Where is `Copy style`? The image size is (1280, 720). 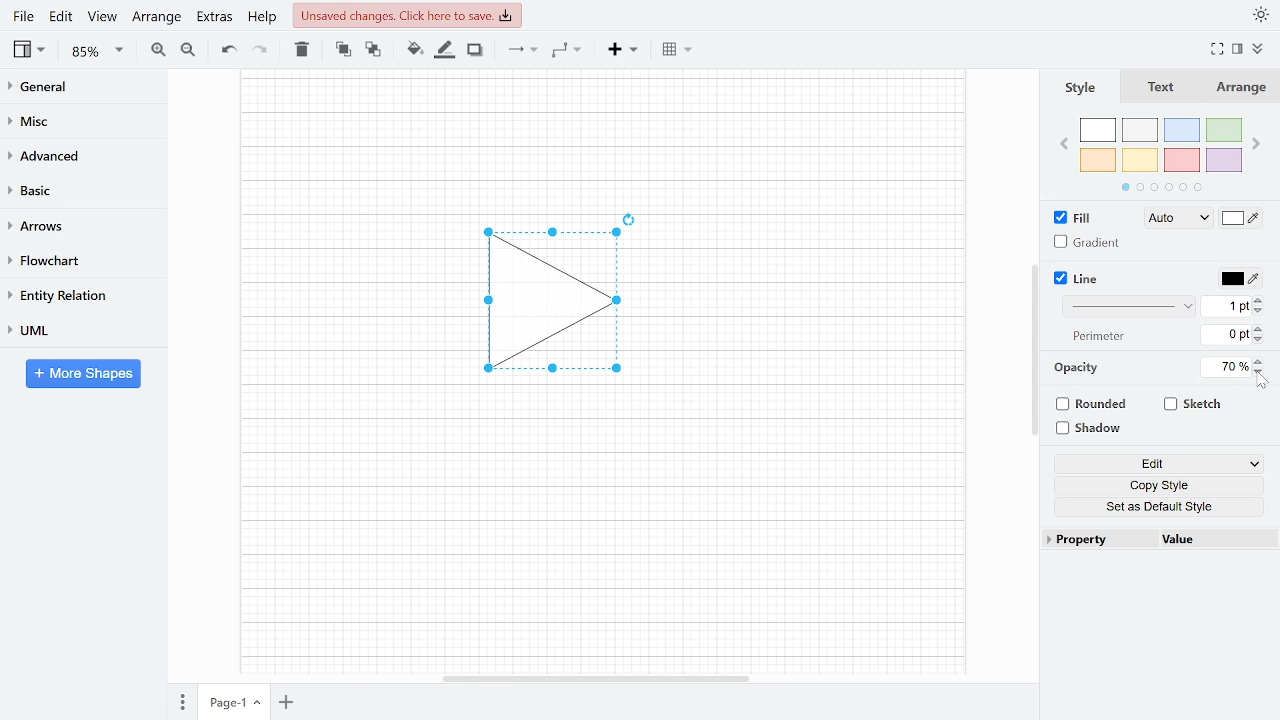 Copy style is located at coordinates (1163, 486).